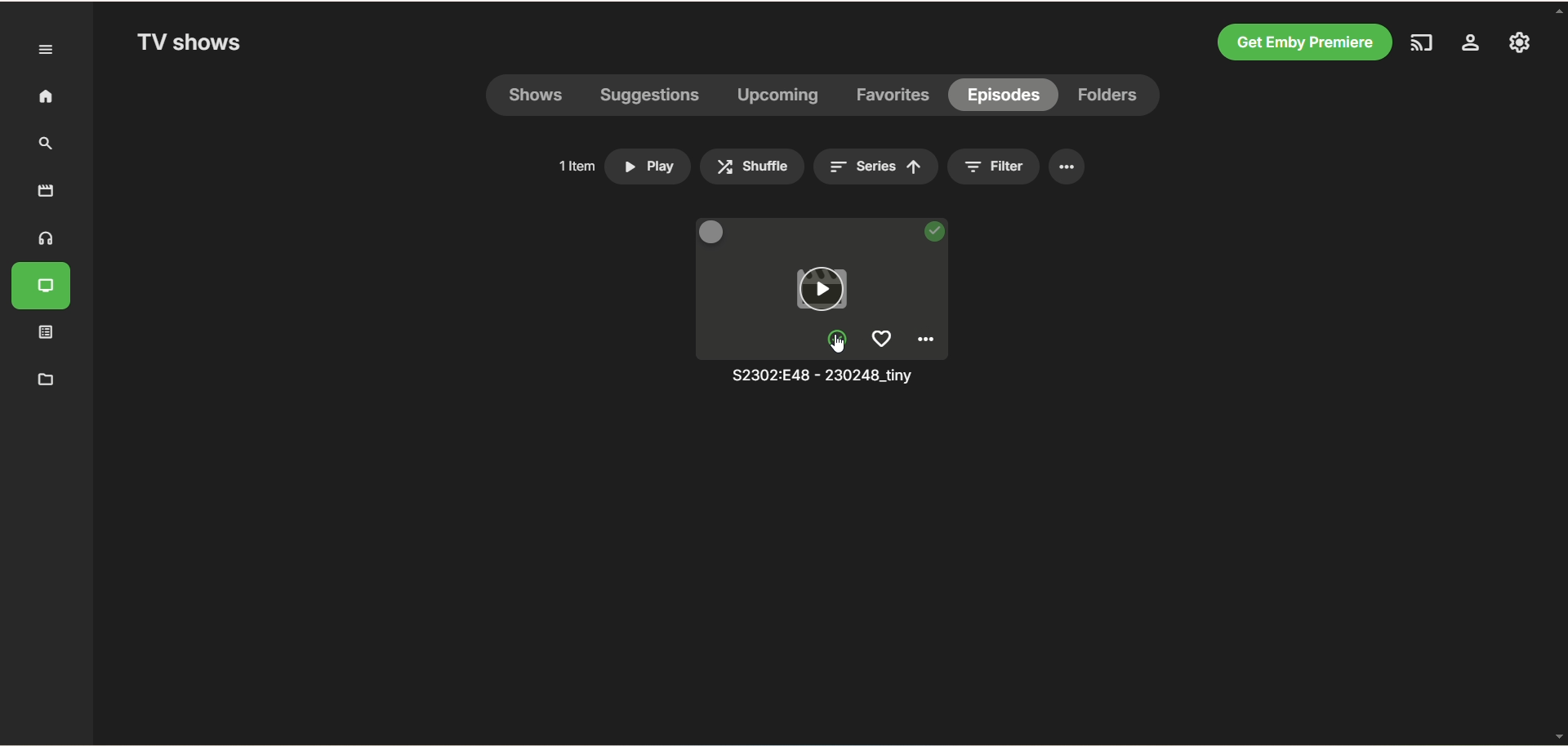 This screenshot has width=1568, height=746. I want to click on play on another device, so click(1420, 42).